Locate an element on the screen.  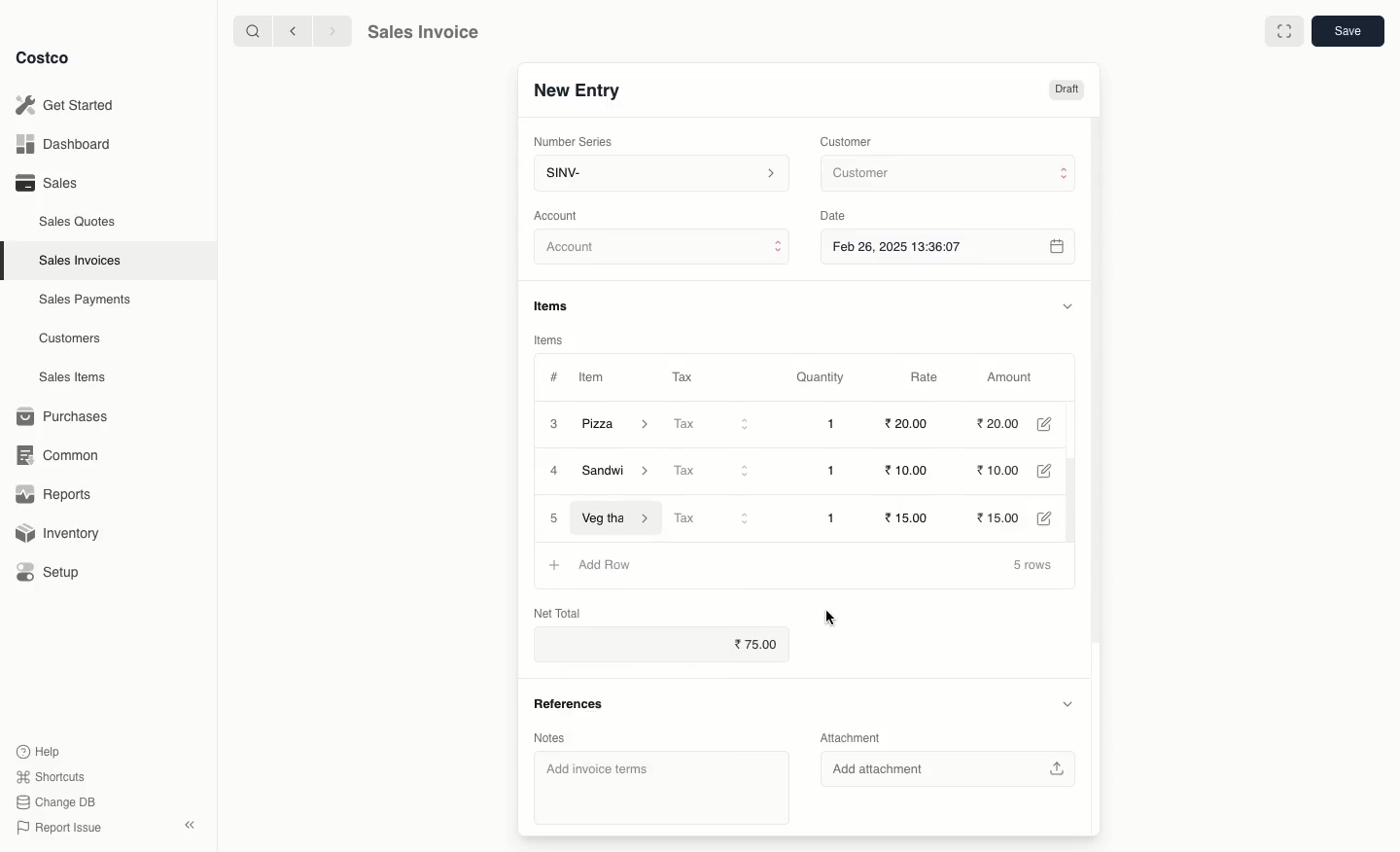
Sales Items is located at coordinates (77, 377).